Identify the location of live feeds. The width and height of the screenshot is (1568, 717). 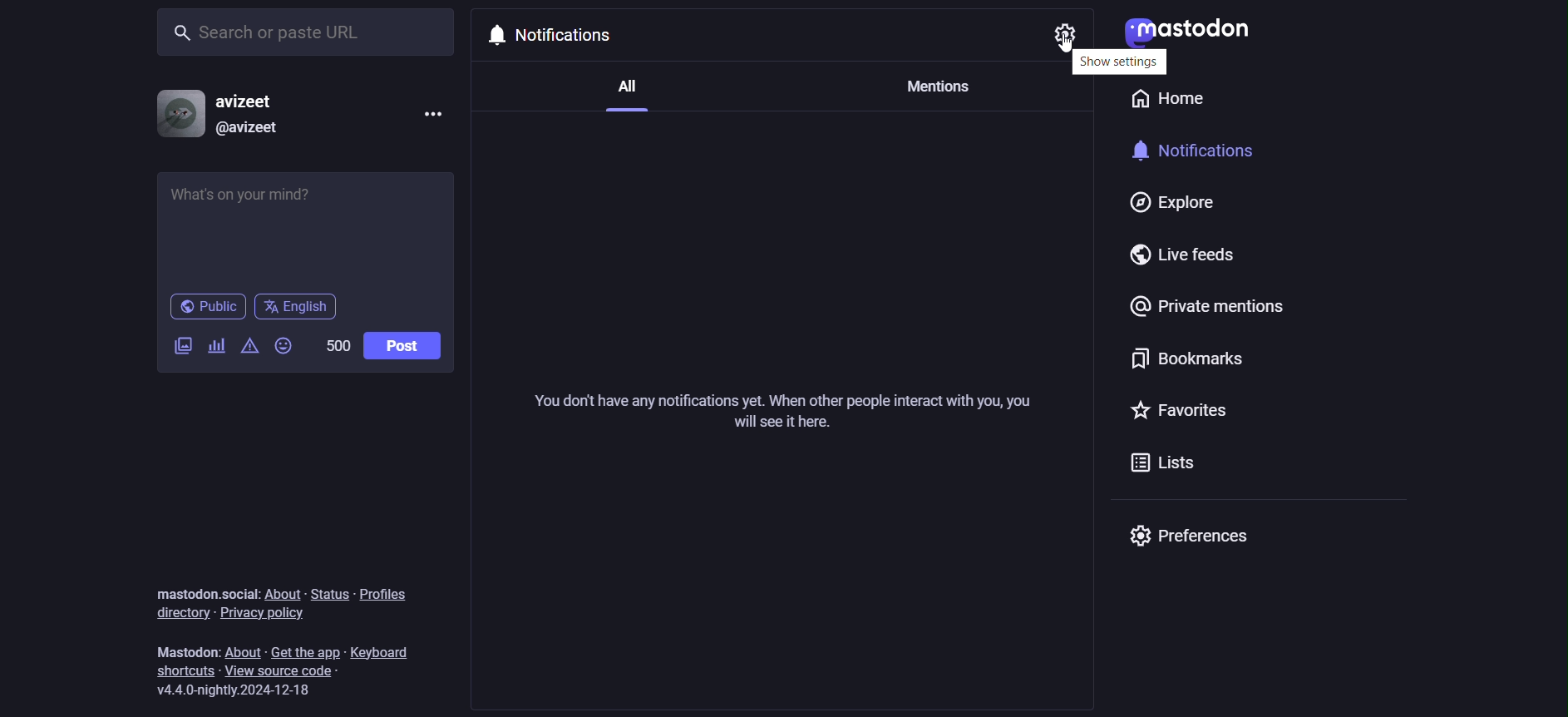
(1190, 255).